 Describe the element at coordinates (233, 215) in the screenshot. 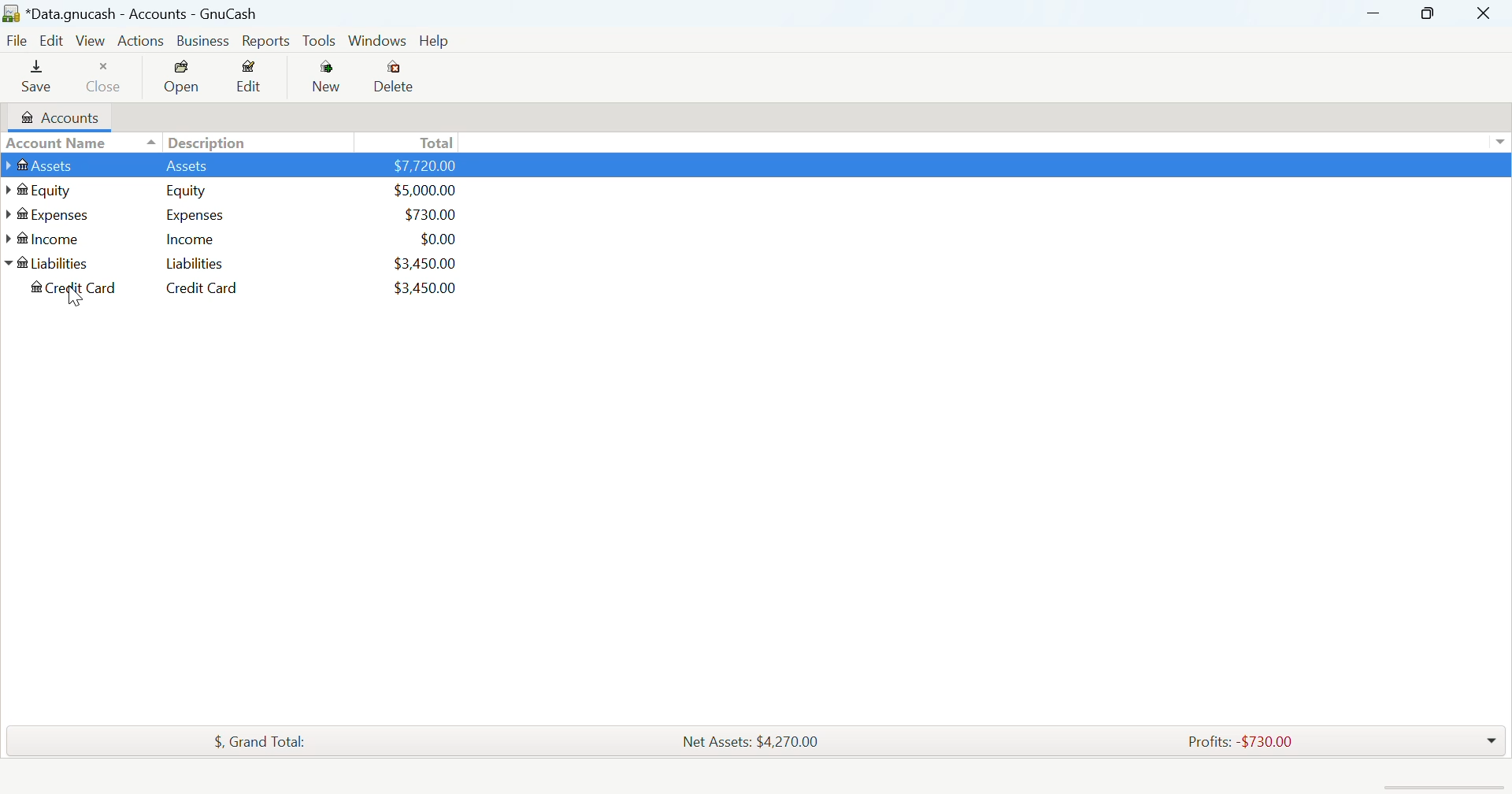

I see `Expenses Expenses $730.00` at that location.